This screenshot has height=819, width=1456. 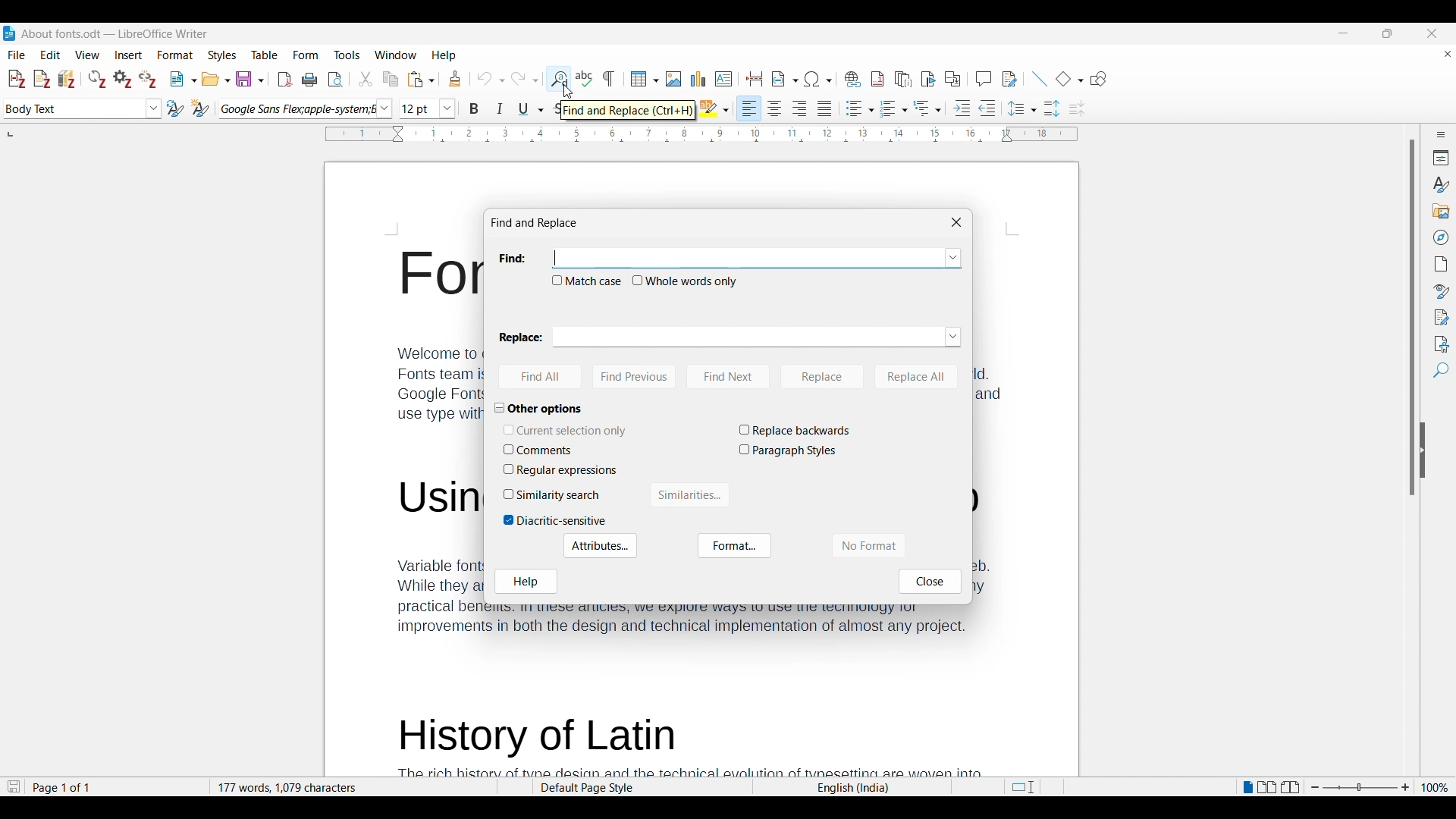 I want to click on Indicates document modification, so click(x=14, y=787).